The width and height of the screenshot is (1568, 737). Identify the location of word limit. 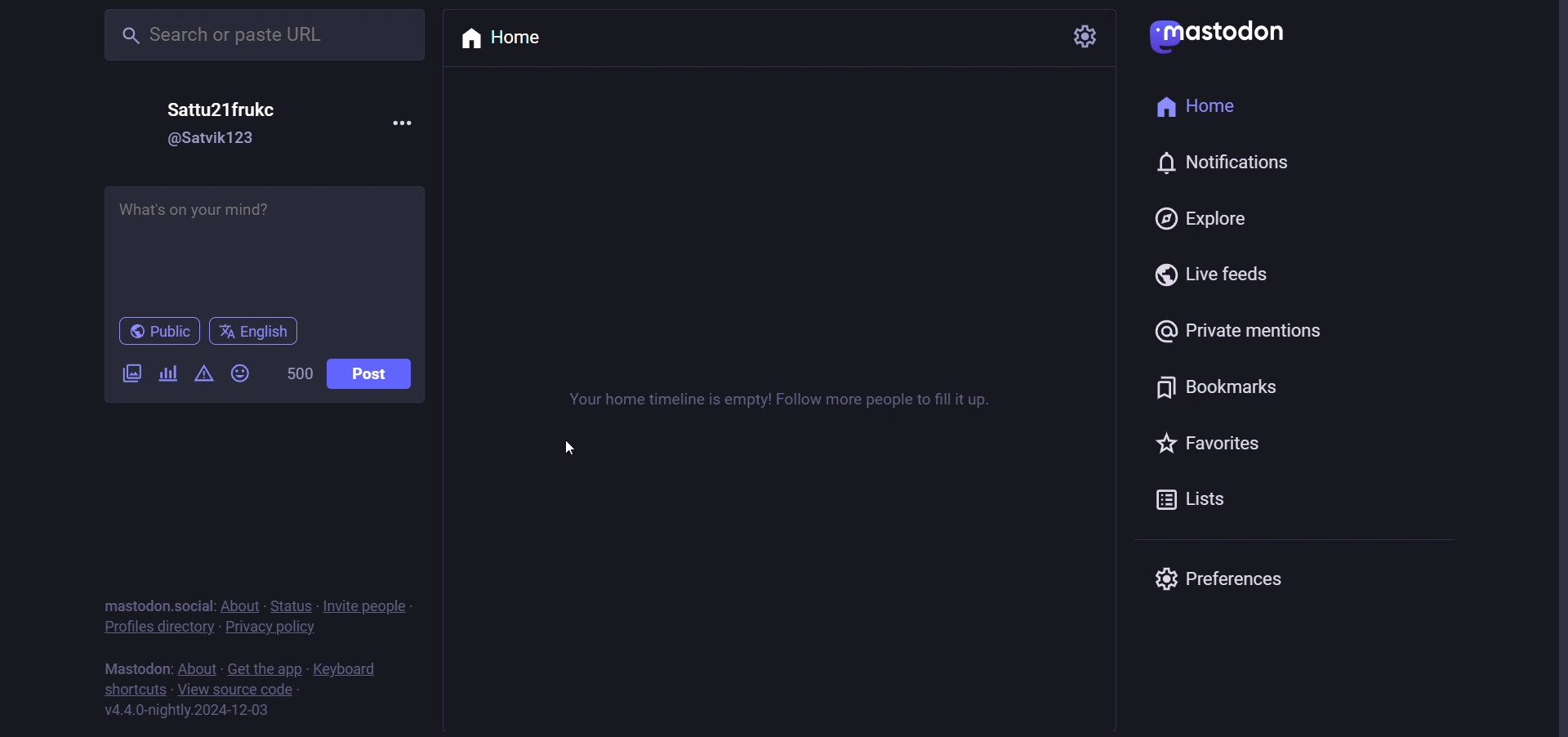
(302, 375).